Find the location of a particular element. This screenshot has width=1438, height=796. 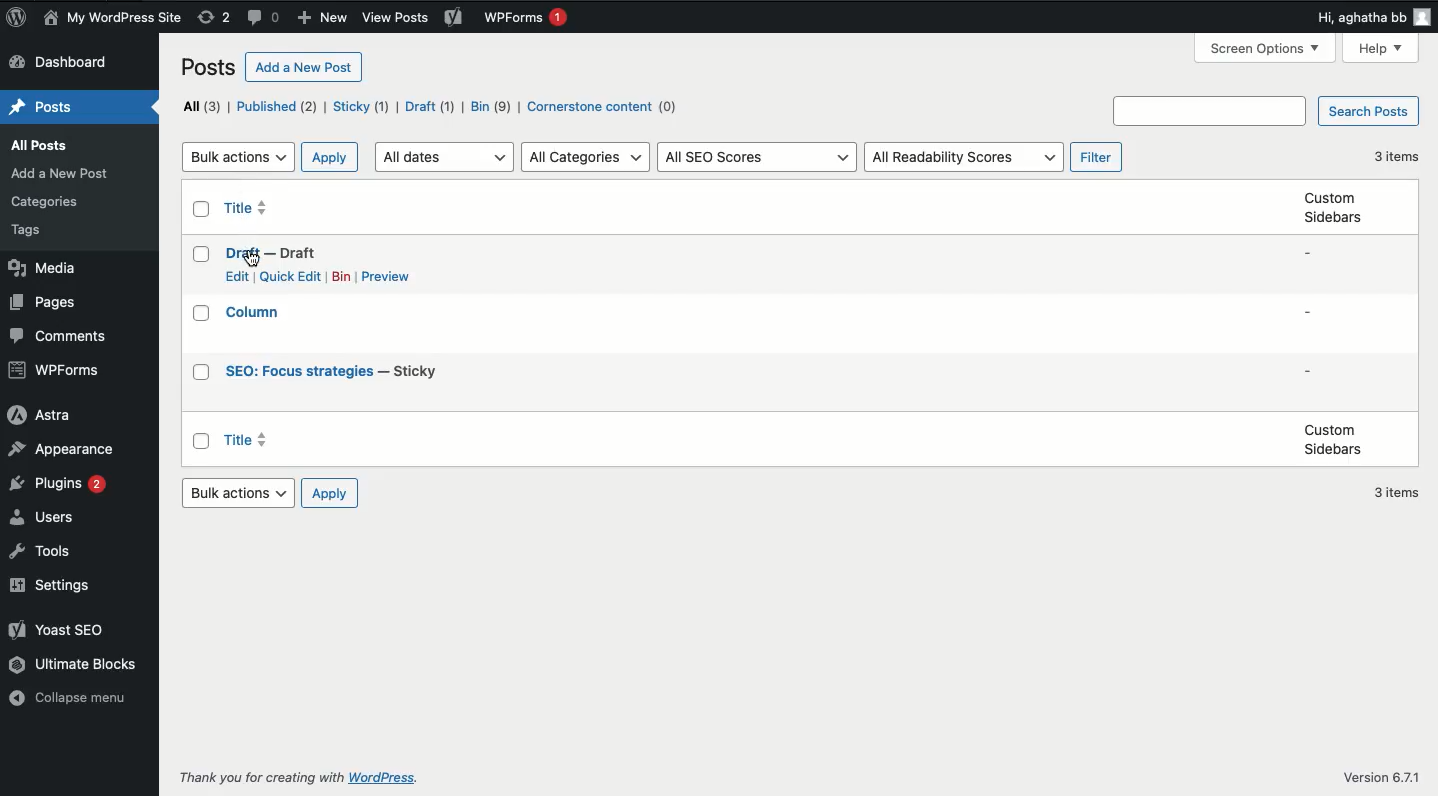

Custom sidebars is located at coordinates (1333, 439).